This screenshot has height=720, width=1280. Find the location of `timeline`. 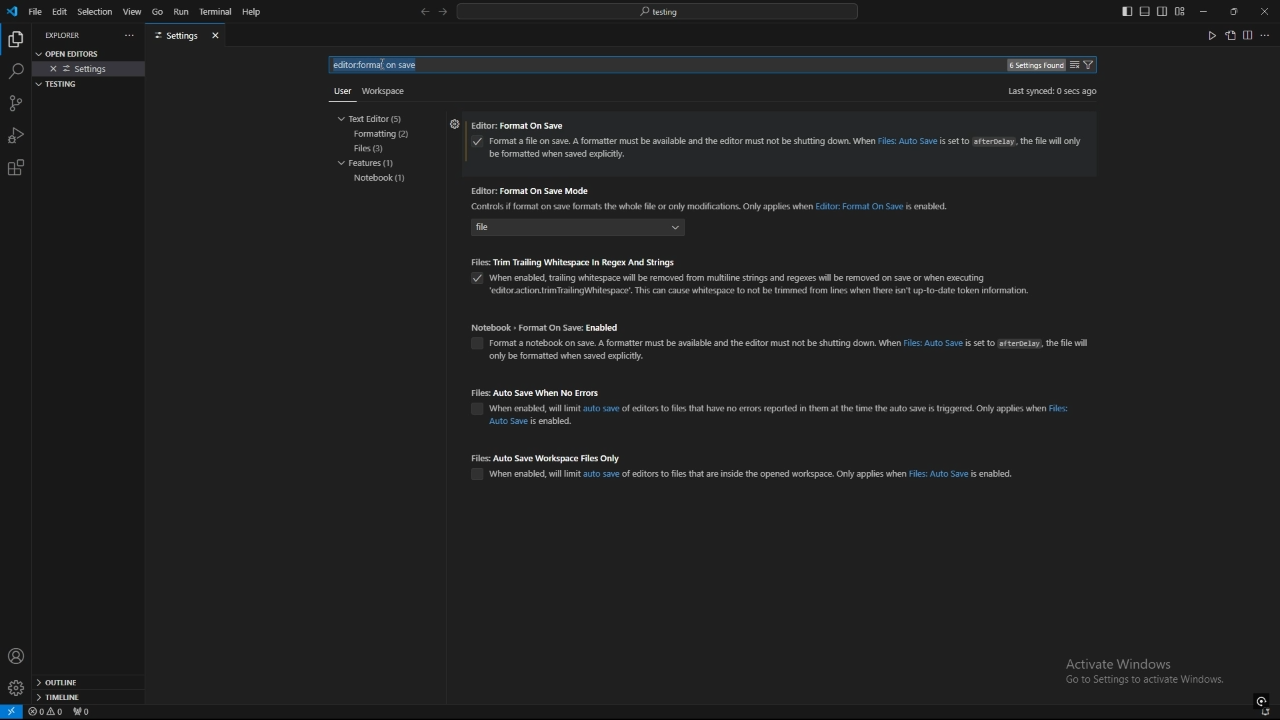

timeline is located at coordinates (88, 699).